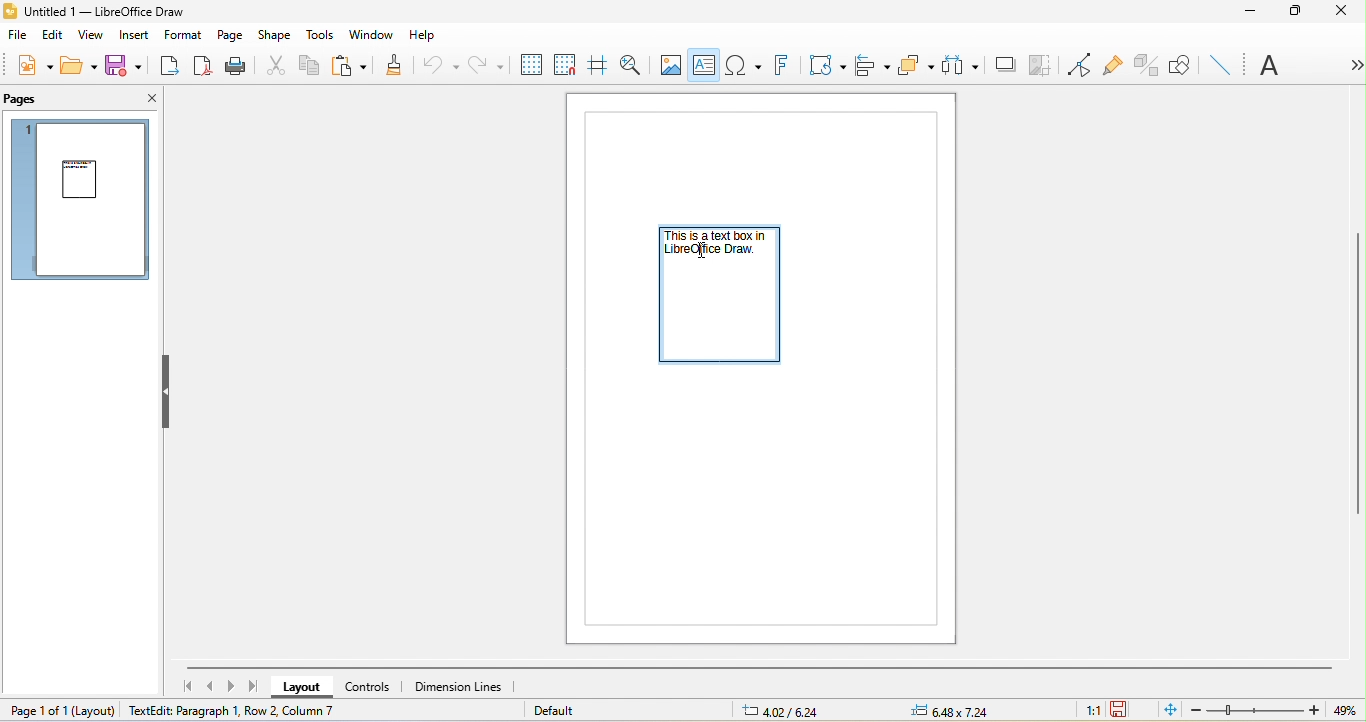 The height and width of the screenshot is (722, 1366). What do you see at coordinates (168, 392) in the screenshot?
I see `hide` at bounding box center [168, 392].